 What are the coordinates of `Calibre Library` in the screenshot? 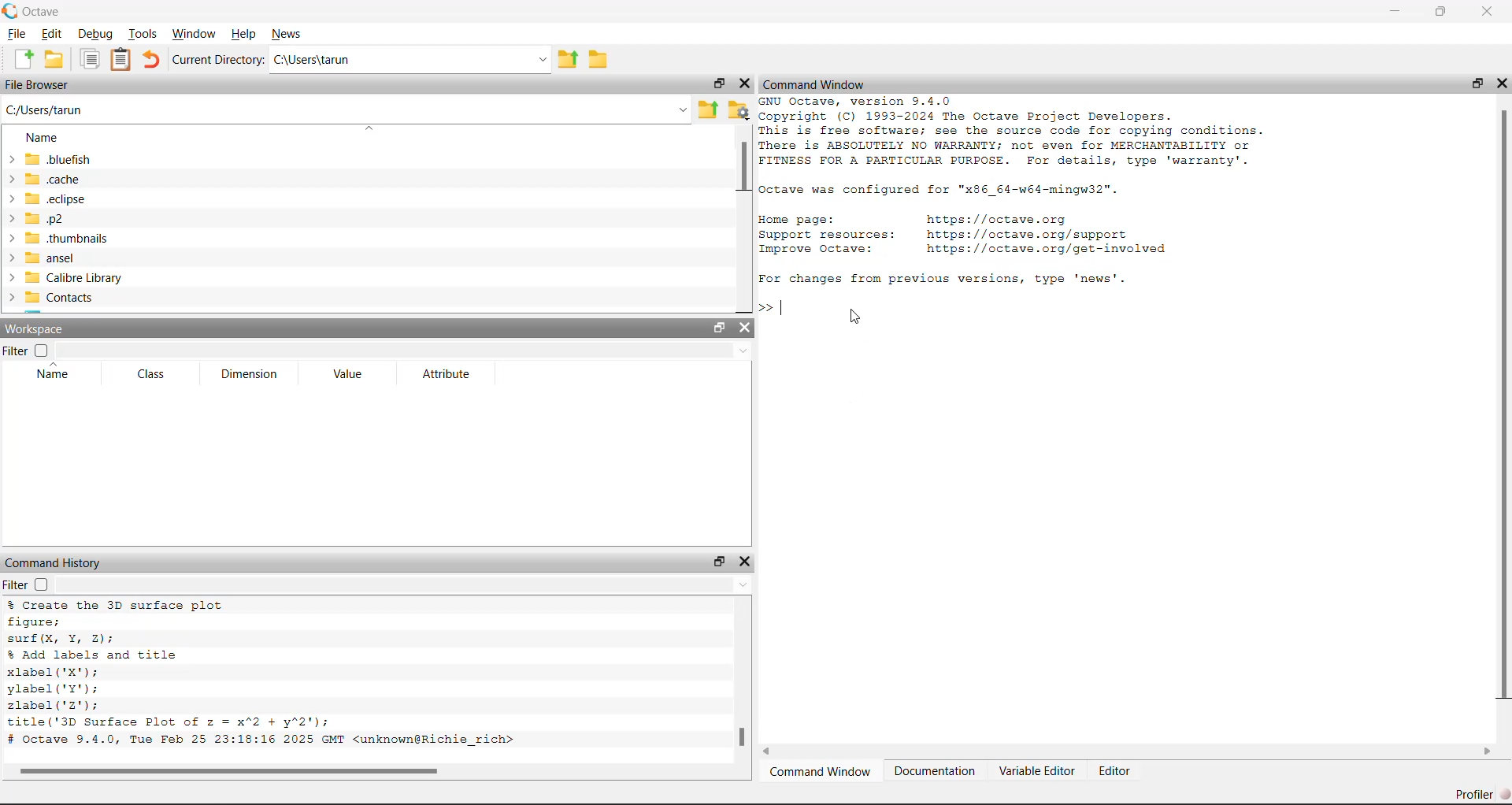 It's located at (63, 278).